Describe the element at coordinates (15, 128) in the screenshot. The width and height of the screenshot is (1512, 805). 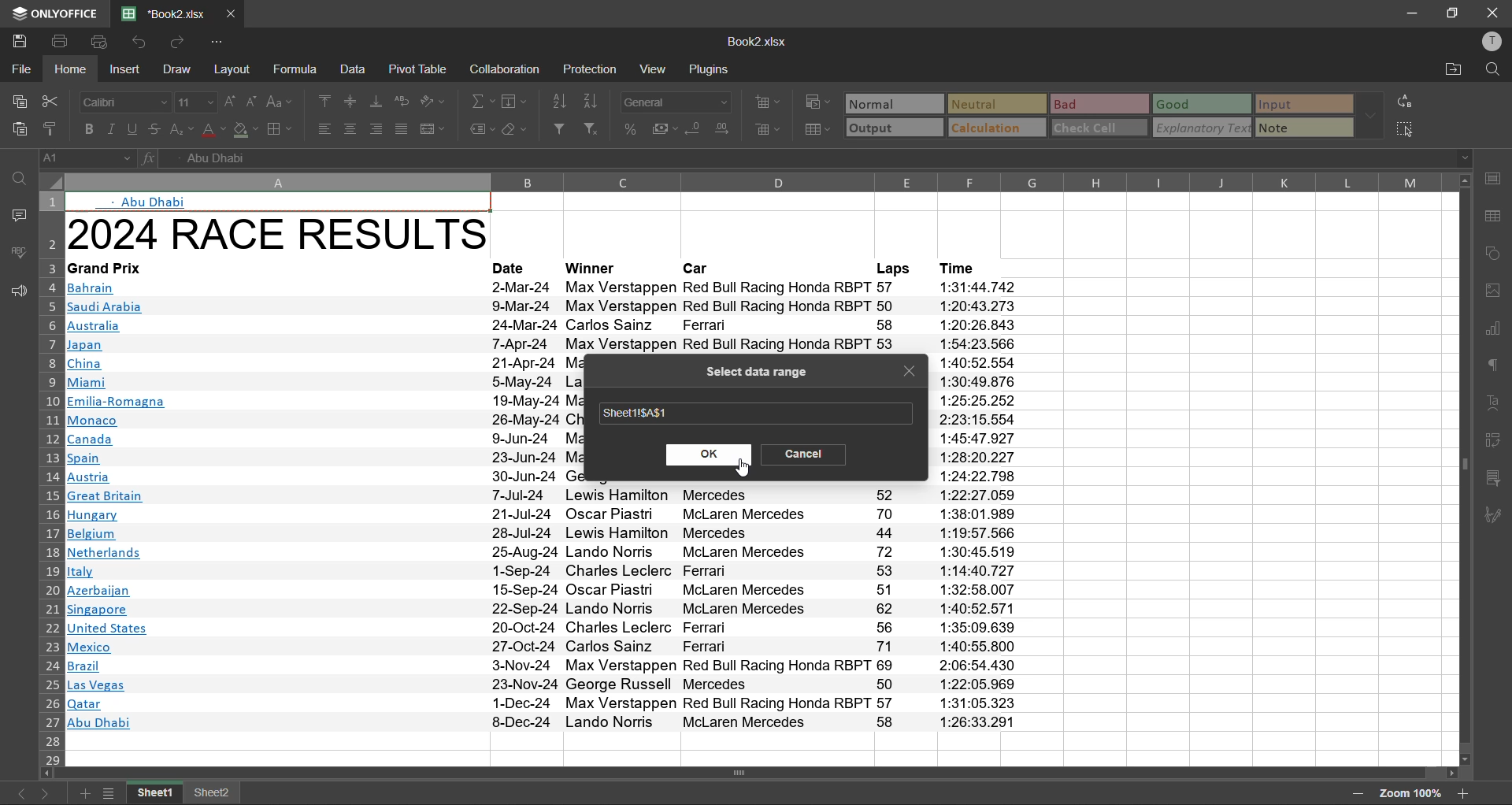
I see `paste` at that location.